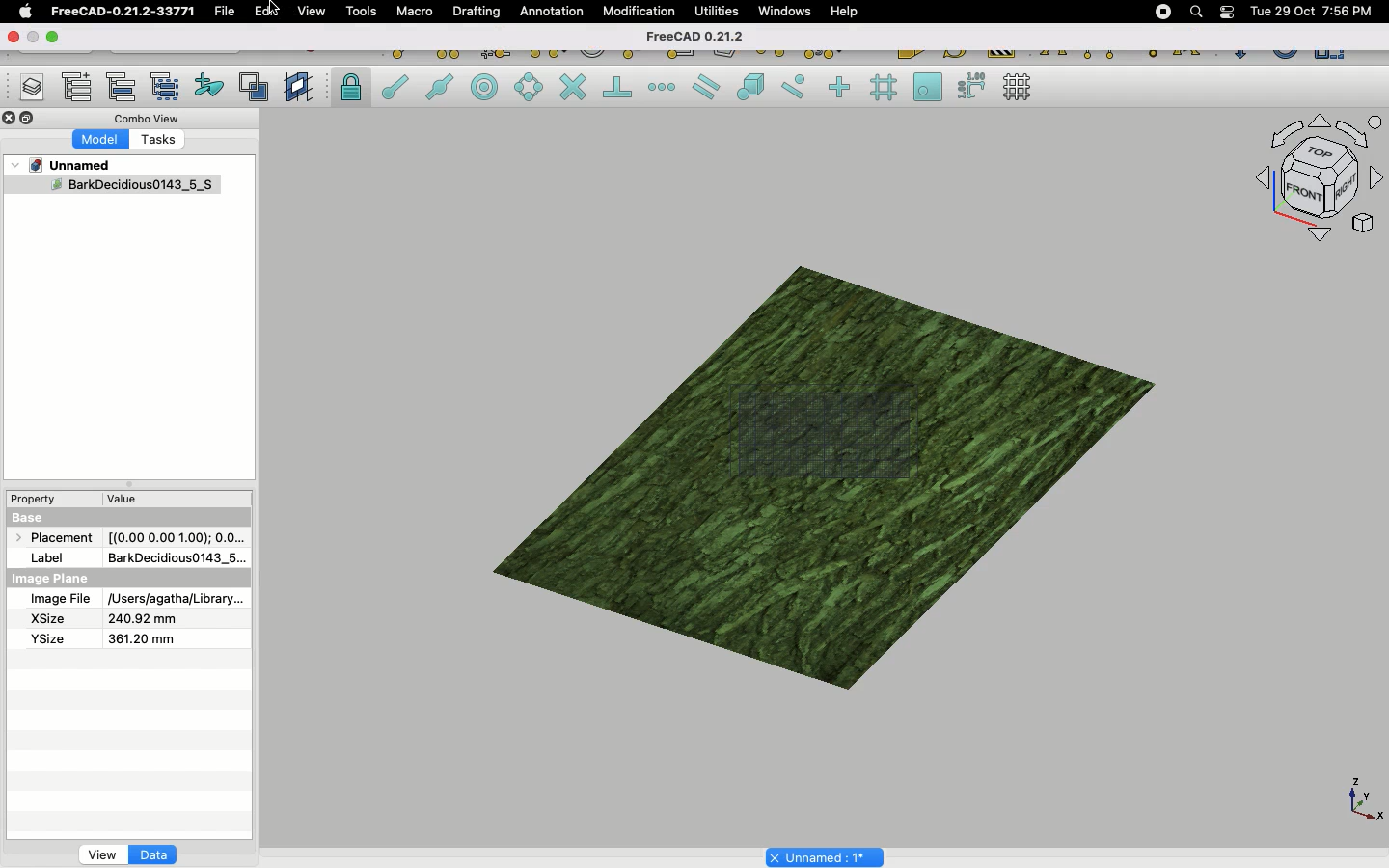  What do you see at coordinates (693, 38) in the screenshot?
I see `FreeCAD 0.21.2` at bounding box center [693, 38].